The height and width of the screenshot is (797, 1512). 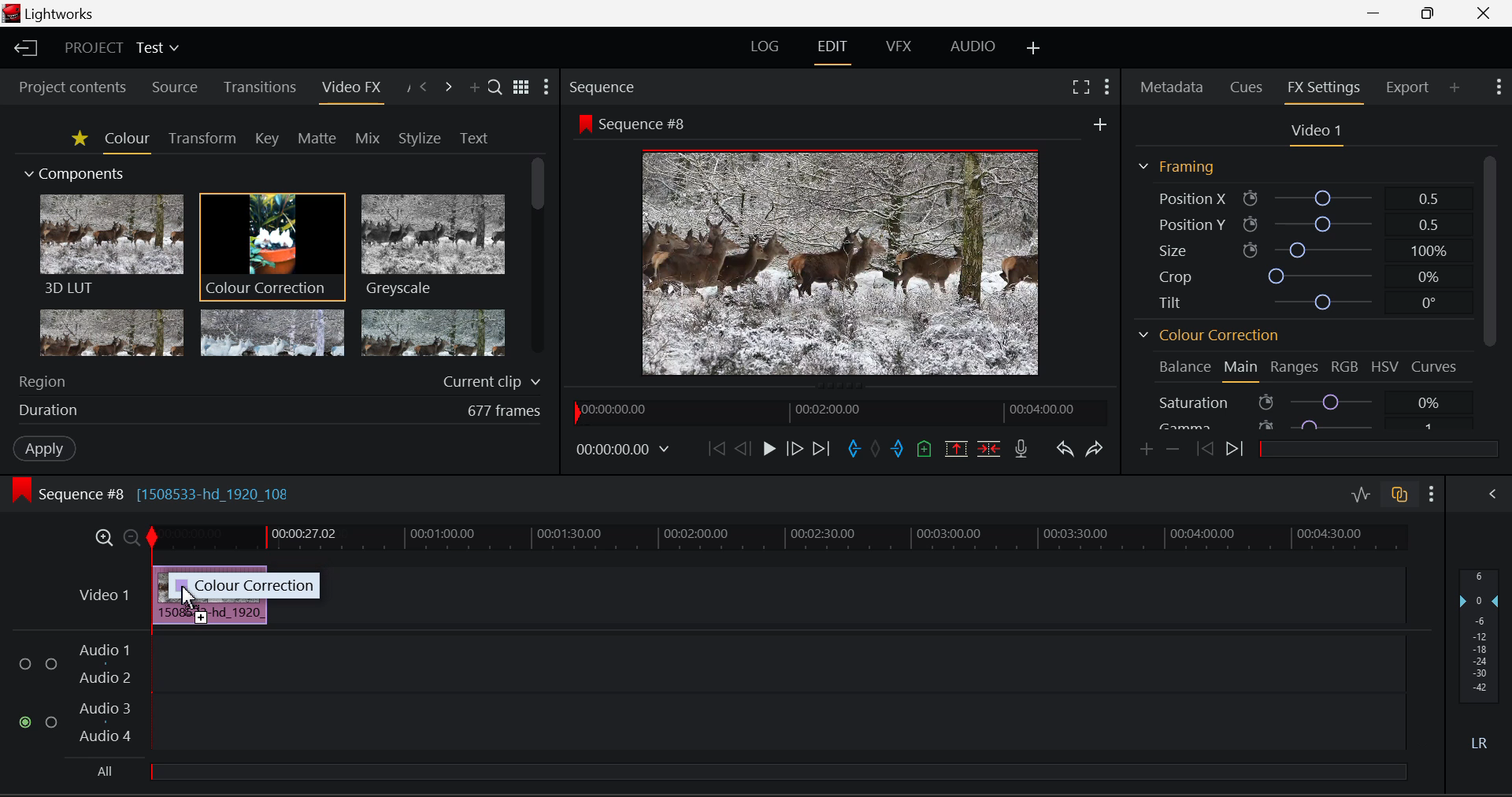 What do you see at coordinates (925, 450) in the screenshot?
I see `Mark Cue` at bounding box center [925, 450].